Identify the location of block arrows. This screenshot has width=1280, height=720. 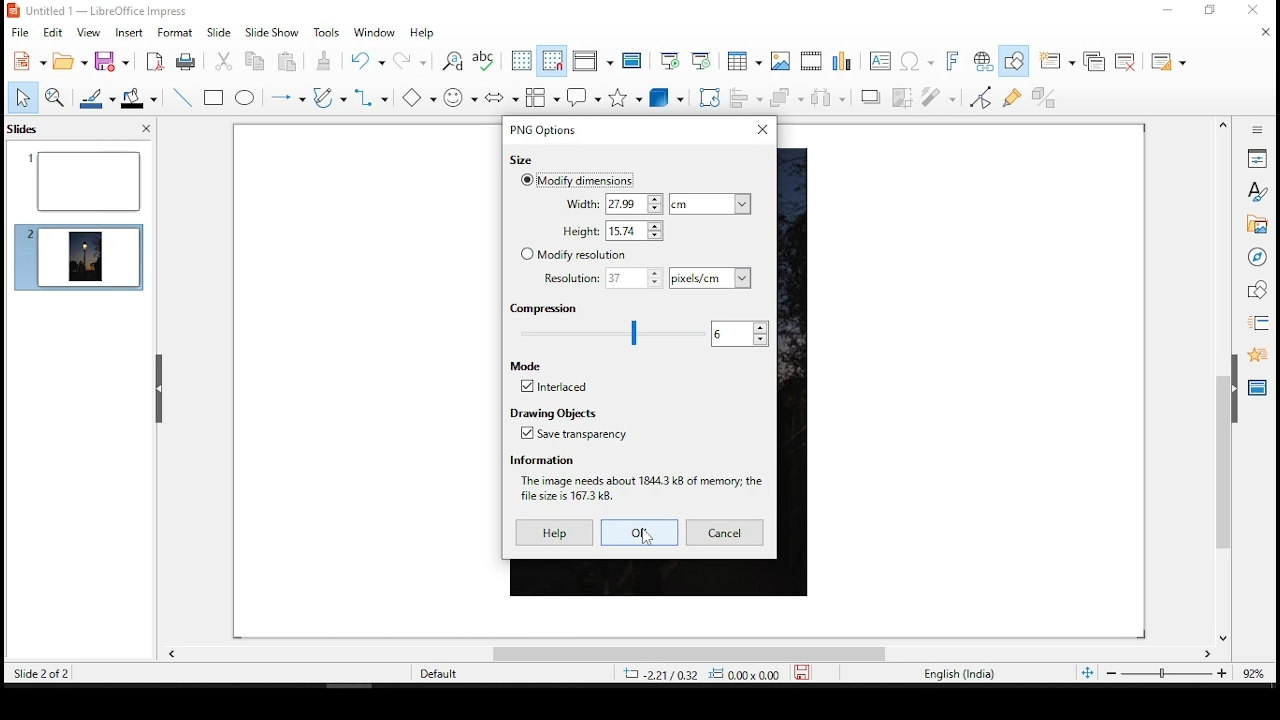
(501, 98).